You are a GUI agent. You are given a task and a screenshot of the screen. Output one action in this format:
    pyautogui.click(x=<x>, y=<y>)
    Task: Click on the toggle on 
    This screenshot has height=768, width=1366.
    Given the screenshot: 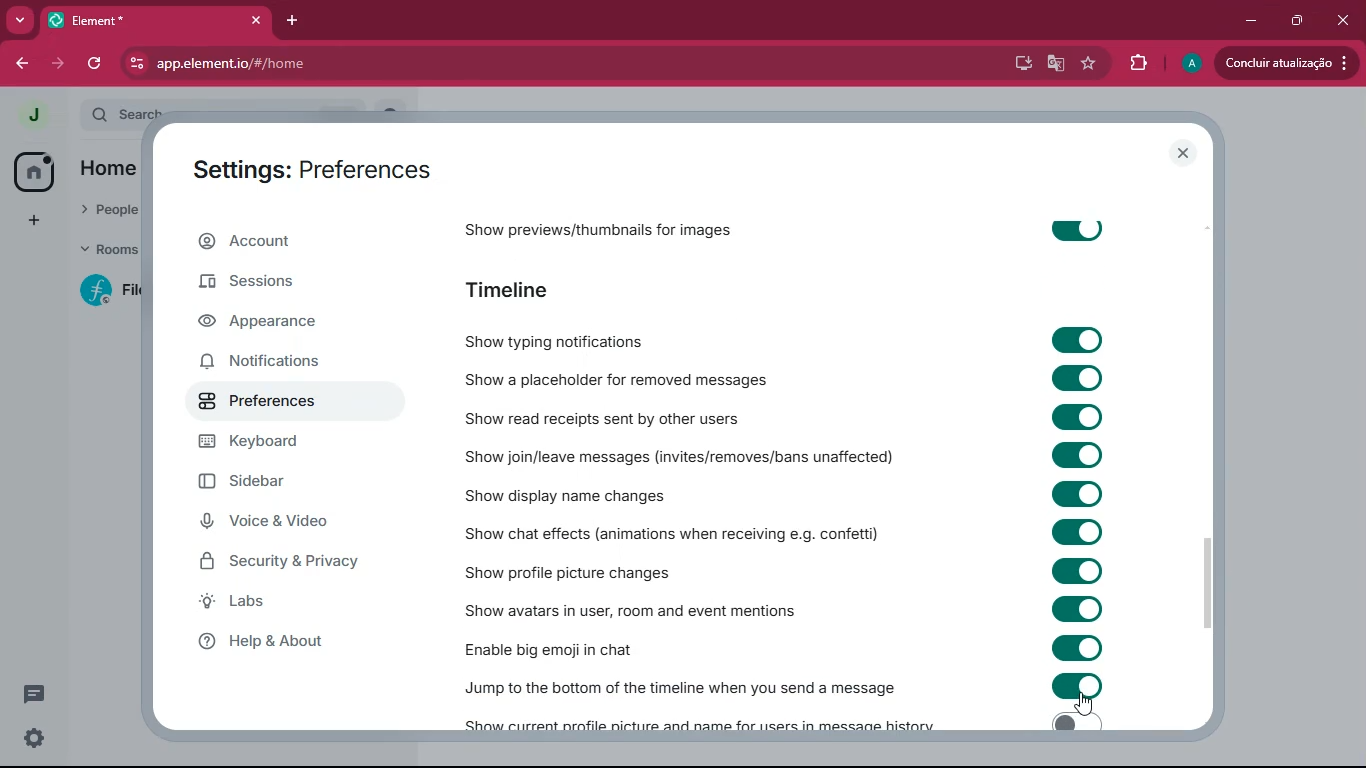 What is the action you would take?
    pyautogui.click(x=1073, y=340)
    